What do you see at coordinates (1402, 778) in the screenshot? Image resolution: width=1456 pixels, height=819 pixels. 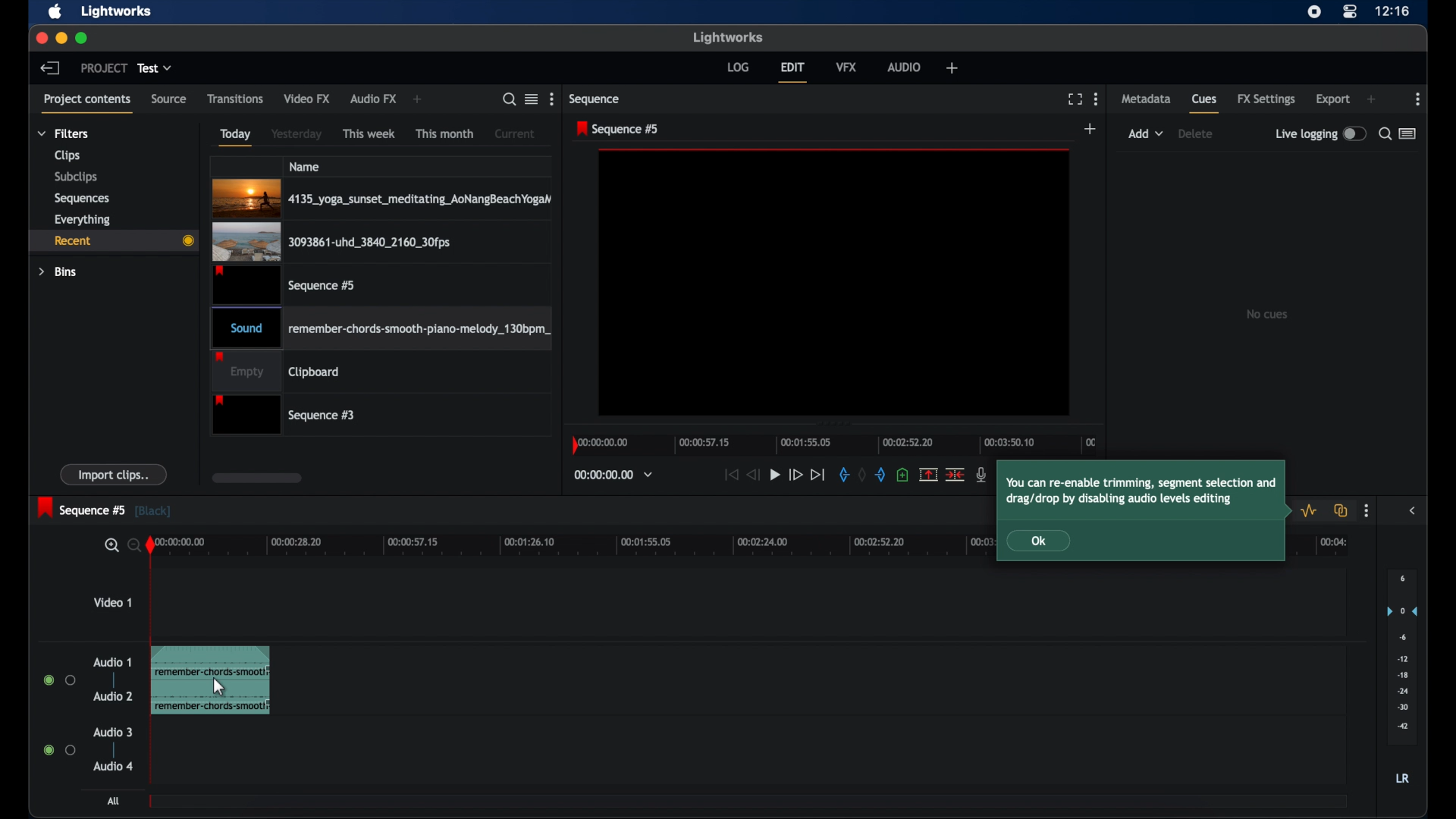 I see `LR` at bounding box center [1402, 778].